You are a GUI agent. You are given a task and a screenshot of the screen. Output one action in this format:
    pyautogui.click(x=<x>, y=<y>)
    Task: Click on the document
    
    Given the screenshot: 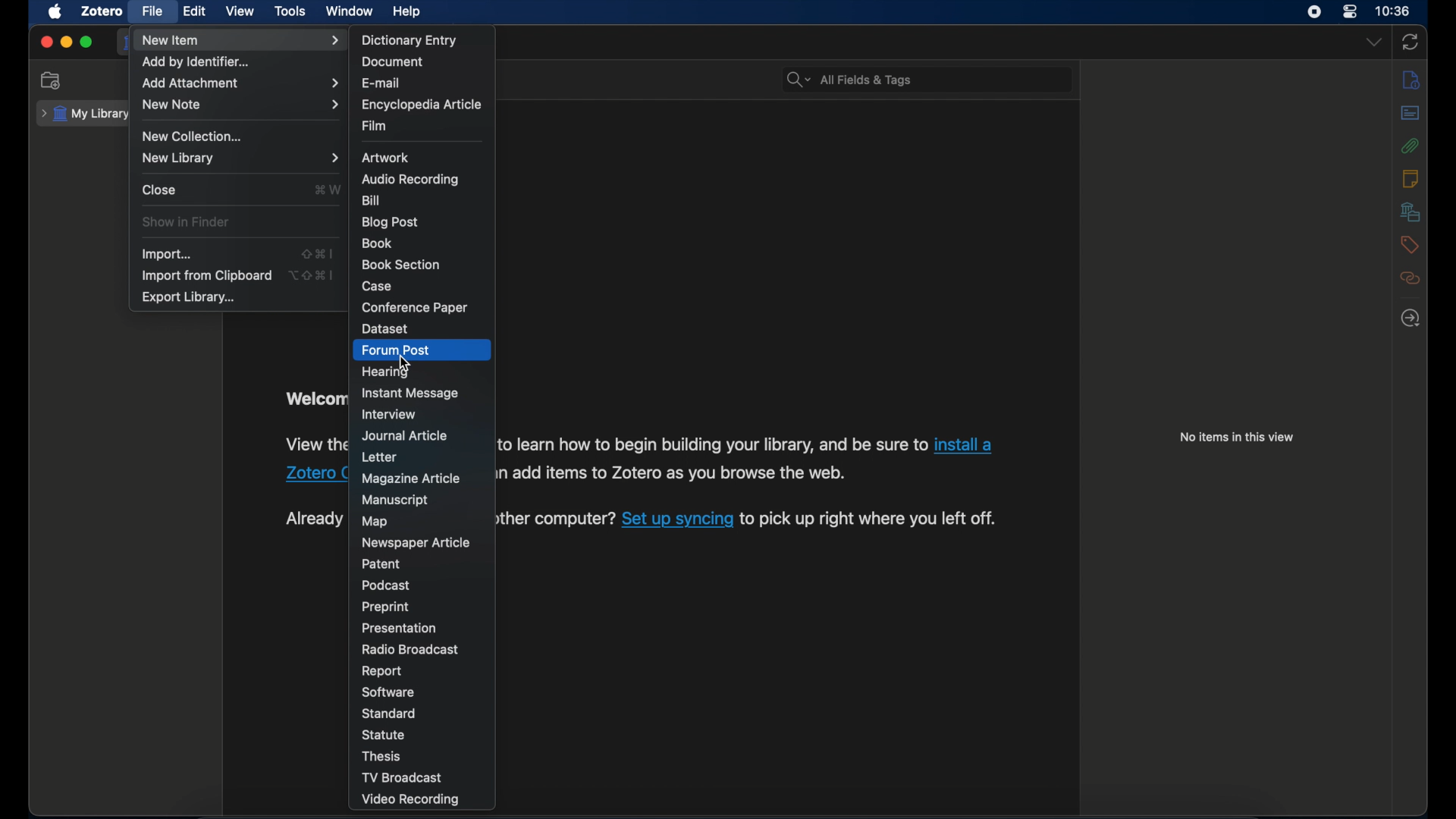 What is the action you would take?
    pyautogui.click(x=391, y=61)
    